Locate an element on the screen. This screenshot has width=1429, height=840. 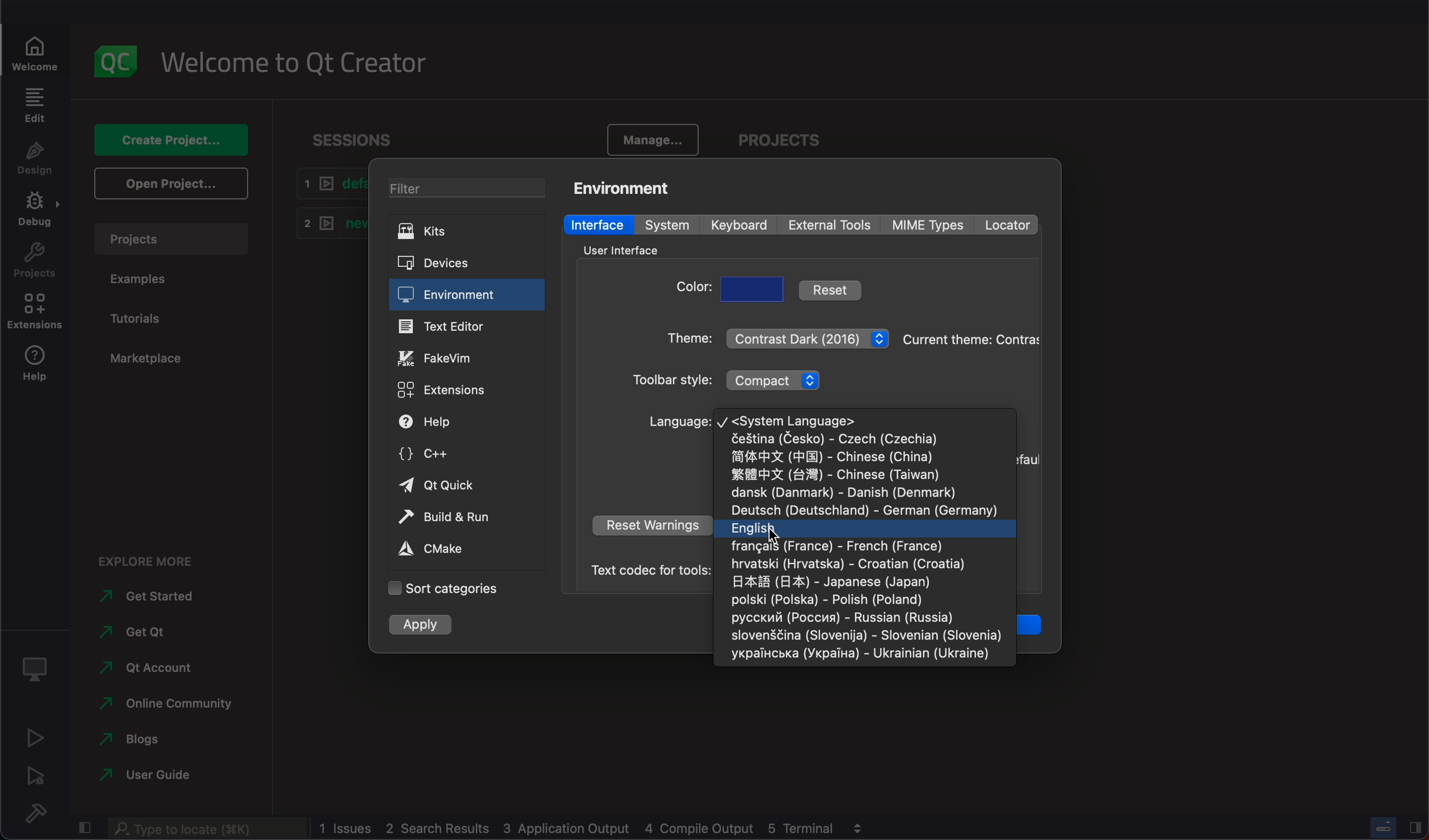
style is located at coordinates (673, 380).